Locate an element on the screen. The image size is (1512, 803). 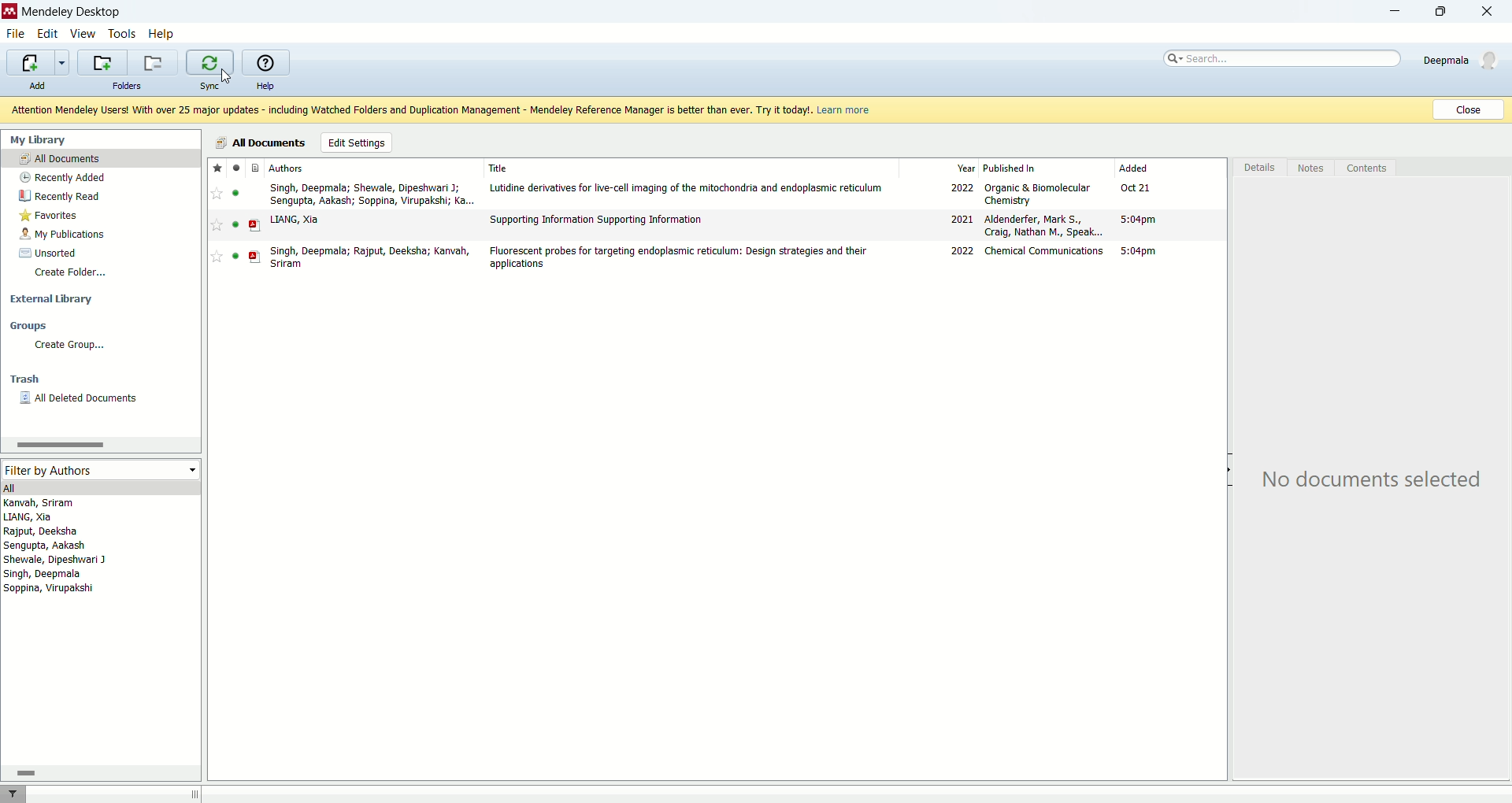
synchronize the library with mendeley web is located at coordinates (208, 62).